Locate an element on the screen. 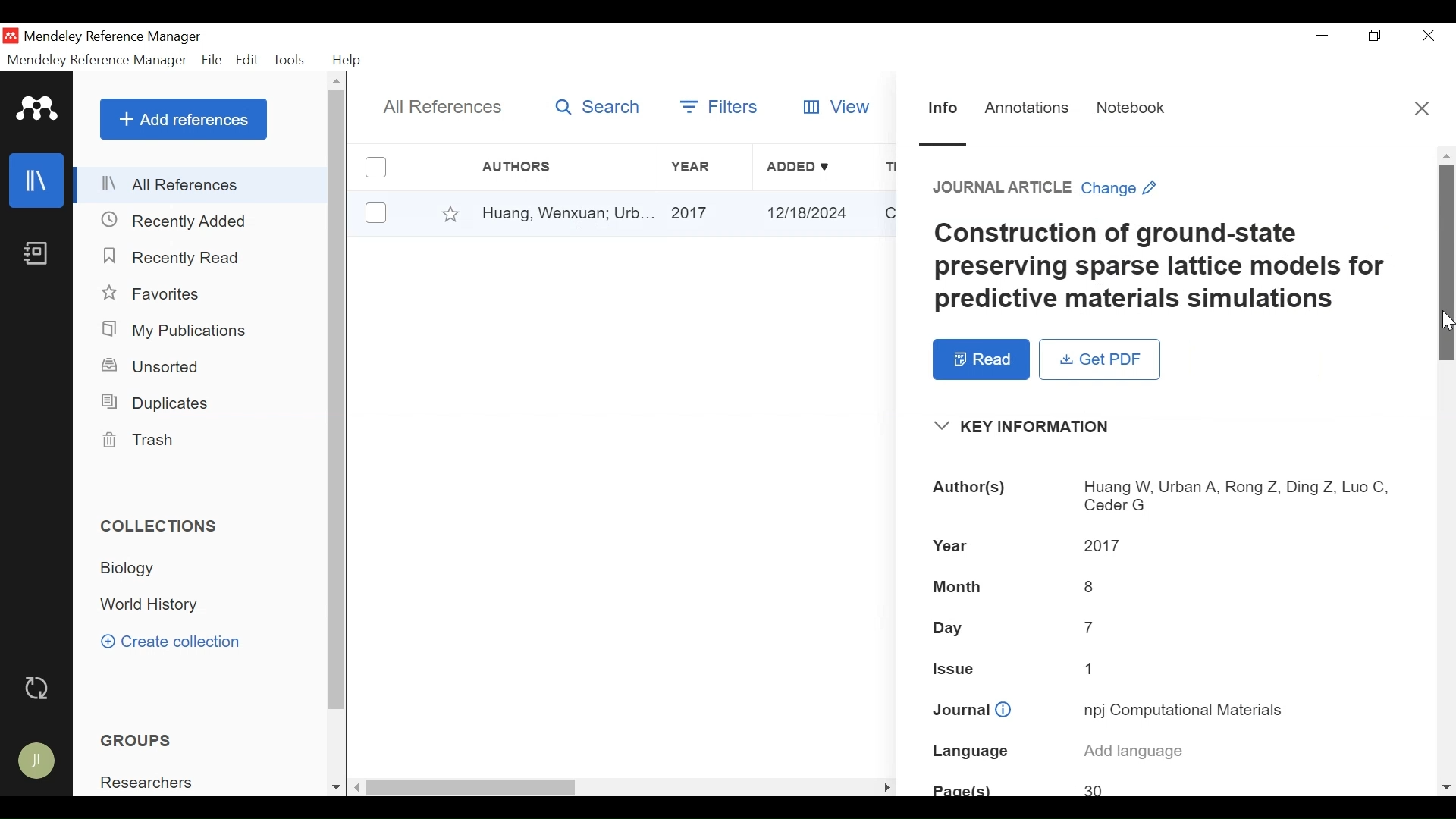 This screenshot has height=819, width=1456. Vertical Scroll bar is located at coordinates (338, 401).